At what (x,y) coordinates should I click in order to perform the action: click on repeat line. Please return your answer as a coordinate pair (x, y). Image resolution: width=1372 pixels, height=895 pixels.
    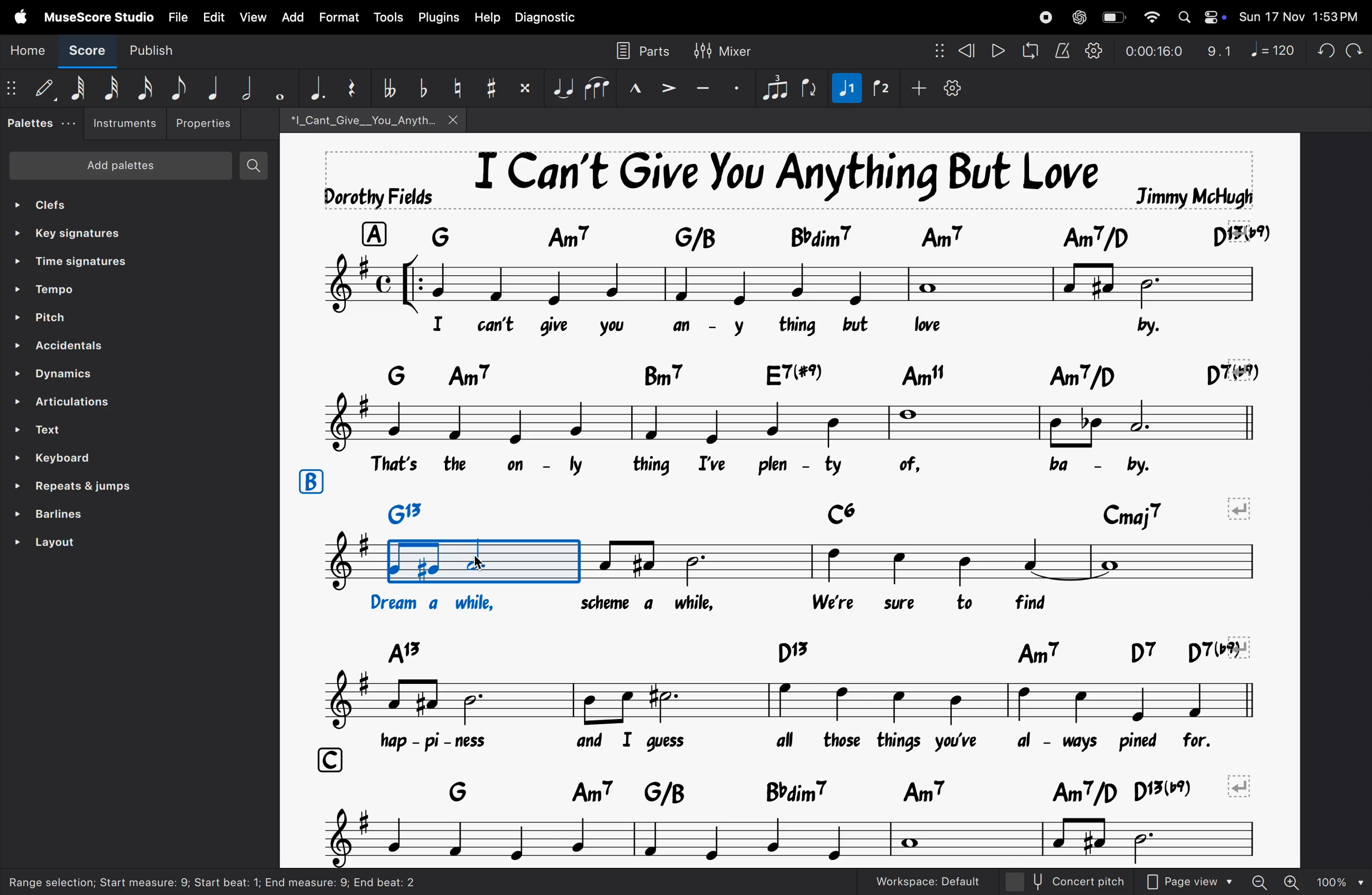
    Looking at the image, I should click on (77, 486).